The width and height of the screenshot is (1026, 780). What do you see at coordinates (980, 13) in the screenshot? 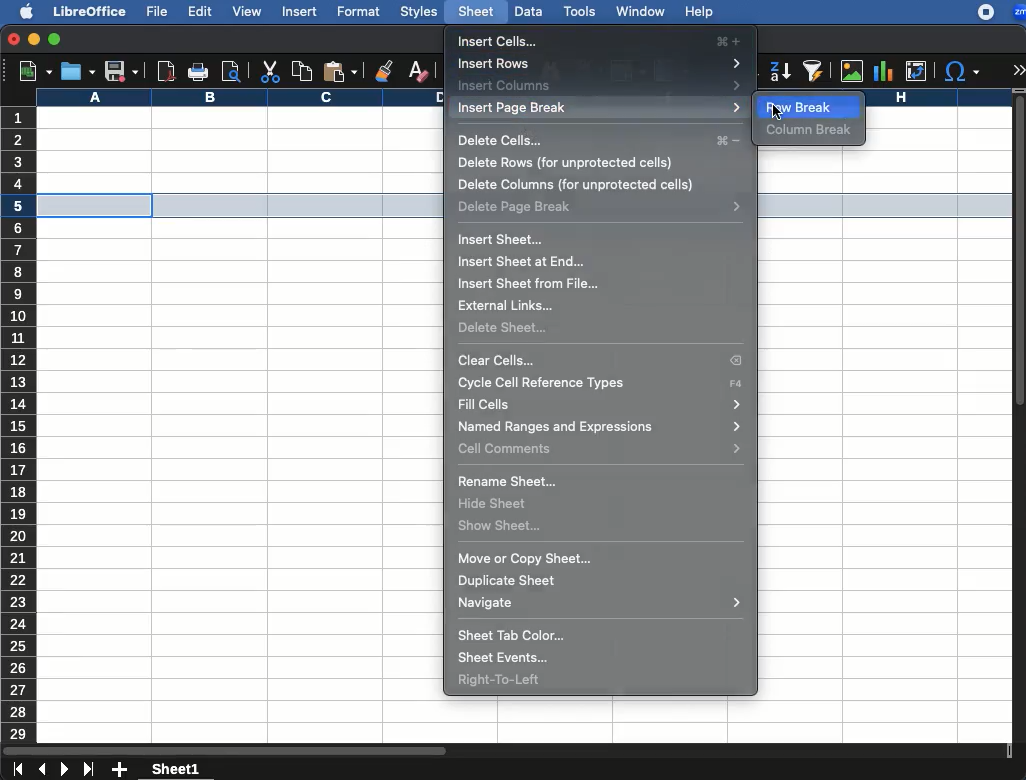
I see `recording` at bounding box center [980, 13].